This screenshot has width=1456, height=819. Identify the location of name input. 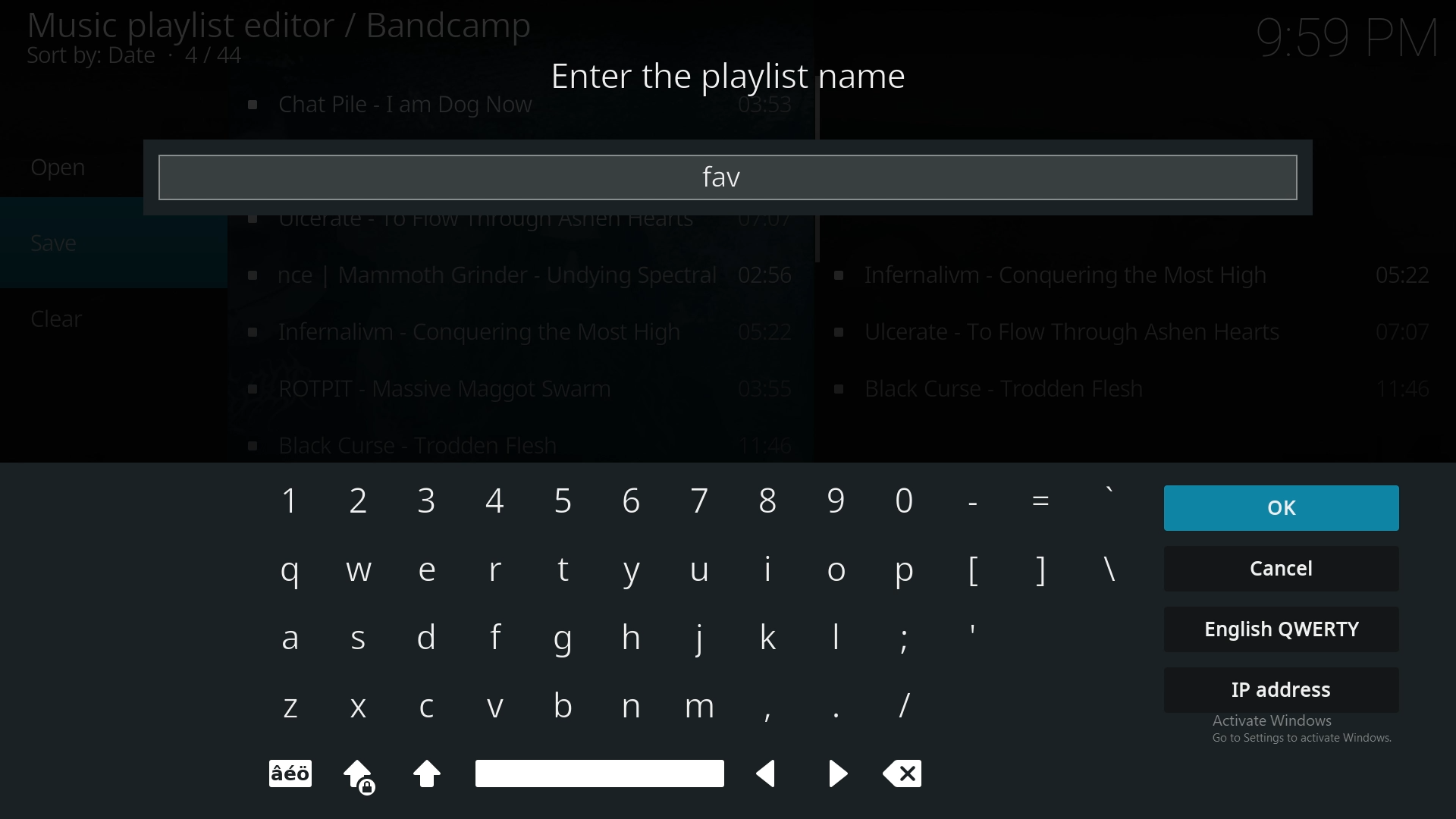
(730, 177).